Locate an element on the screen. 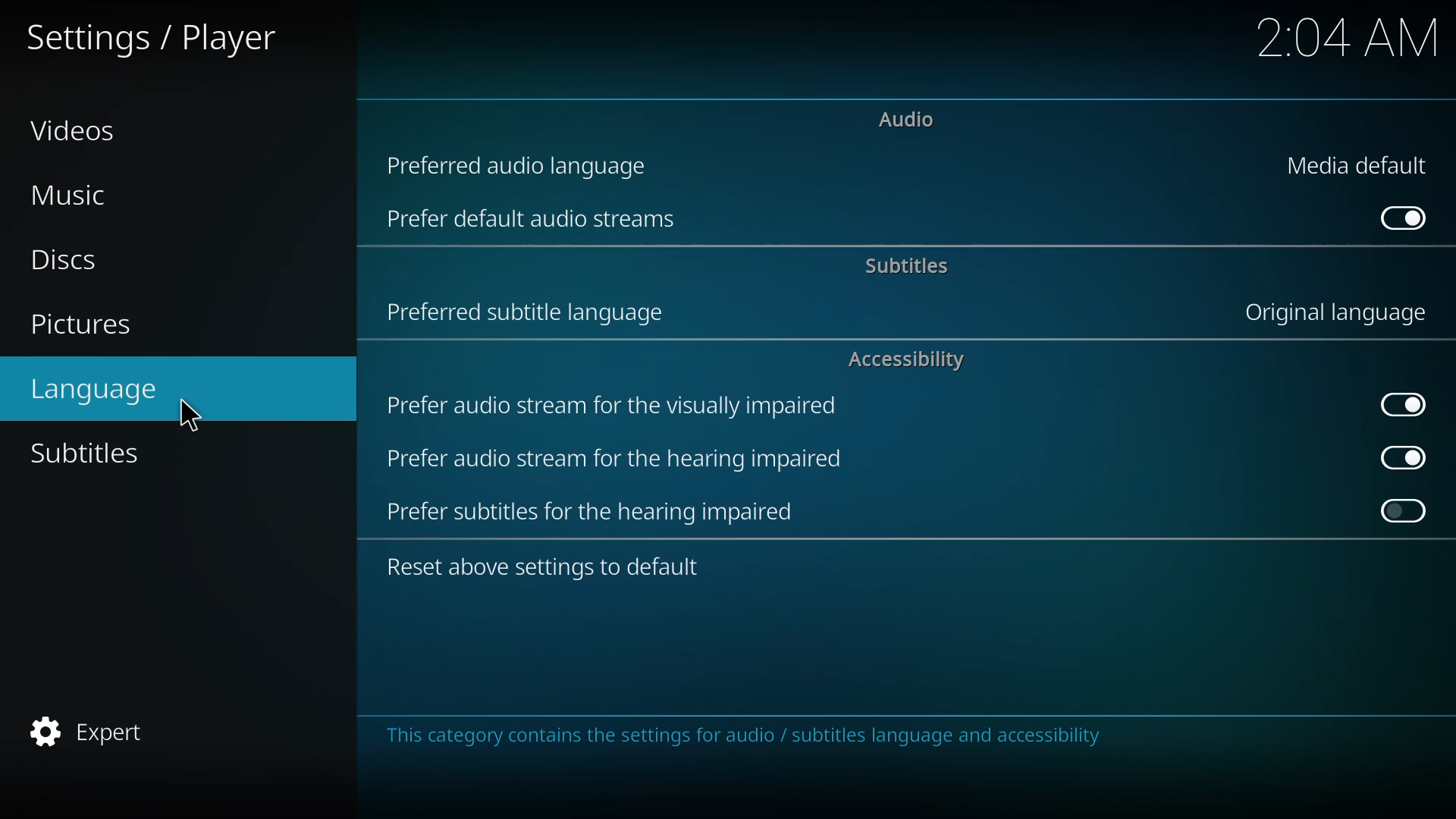 This screenshot has width=1456, height=819. enabled is located at coordinates (1398, 454).